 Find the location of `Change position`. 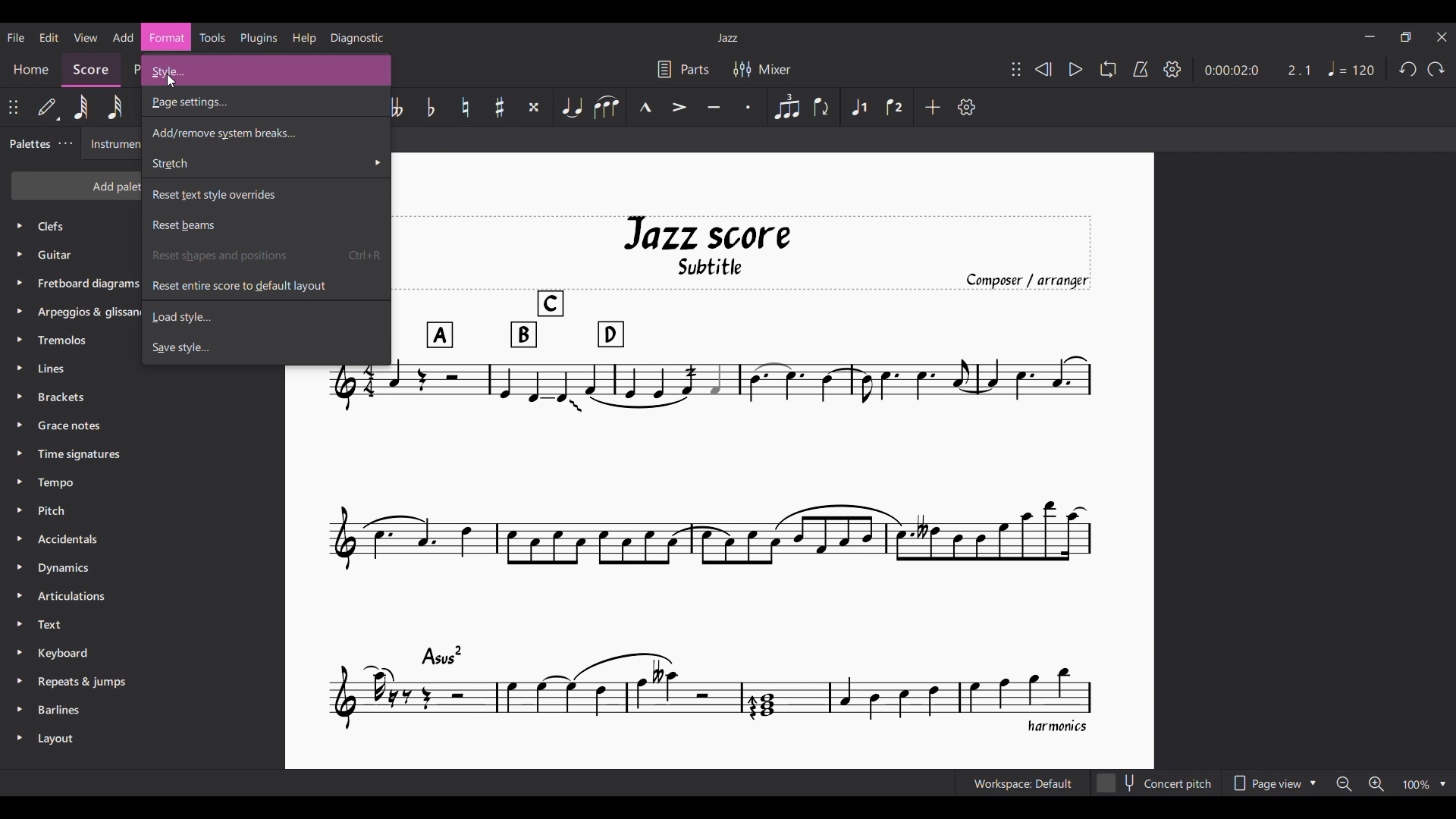

Change position is located at coordinates (13, 107).